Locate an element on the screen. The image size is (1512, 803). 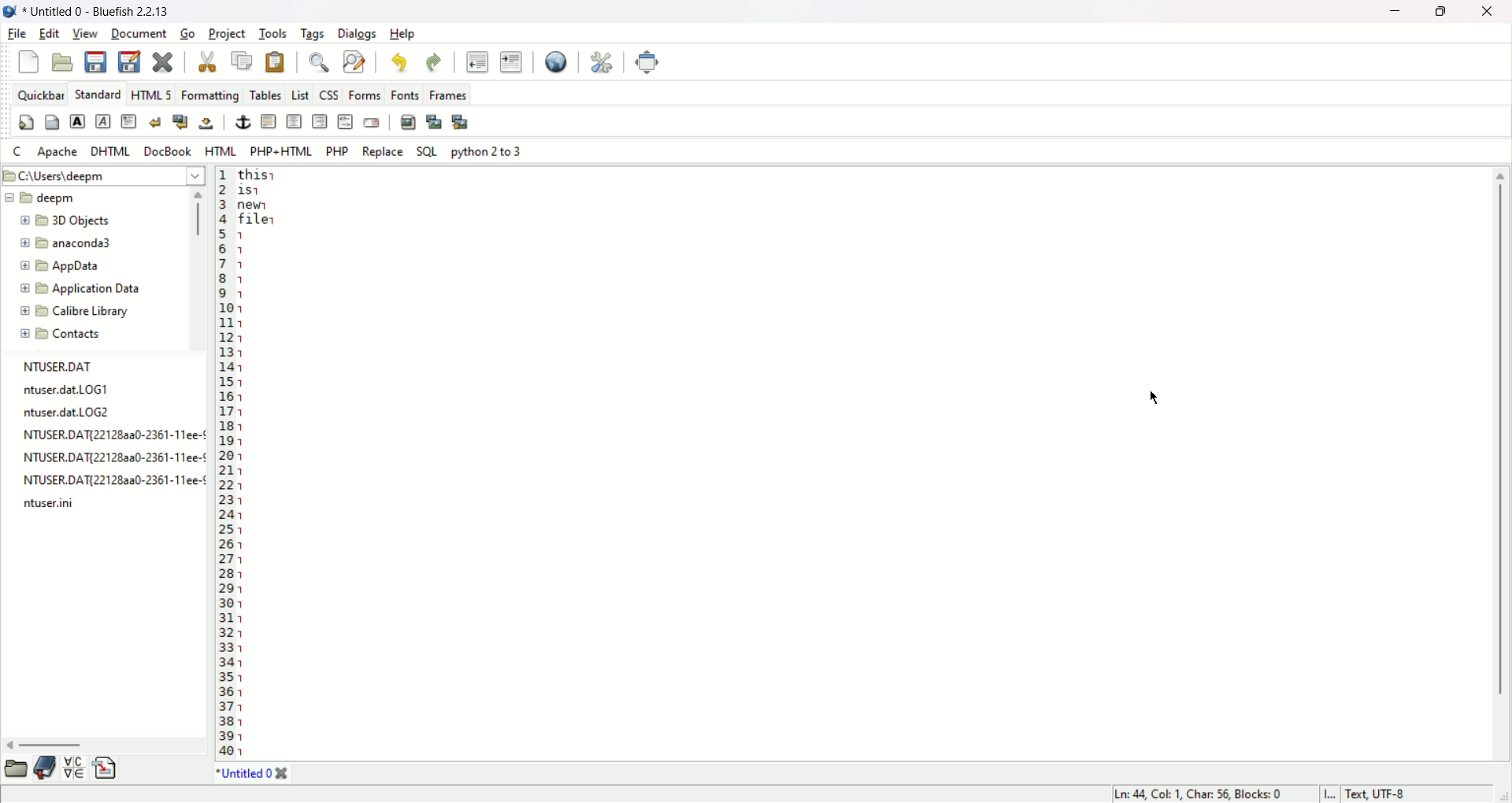
cusor position is located at coordinates (1201, 794).